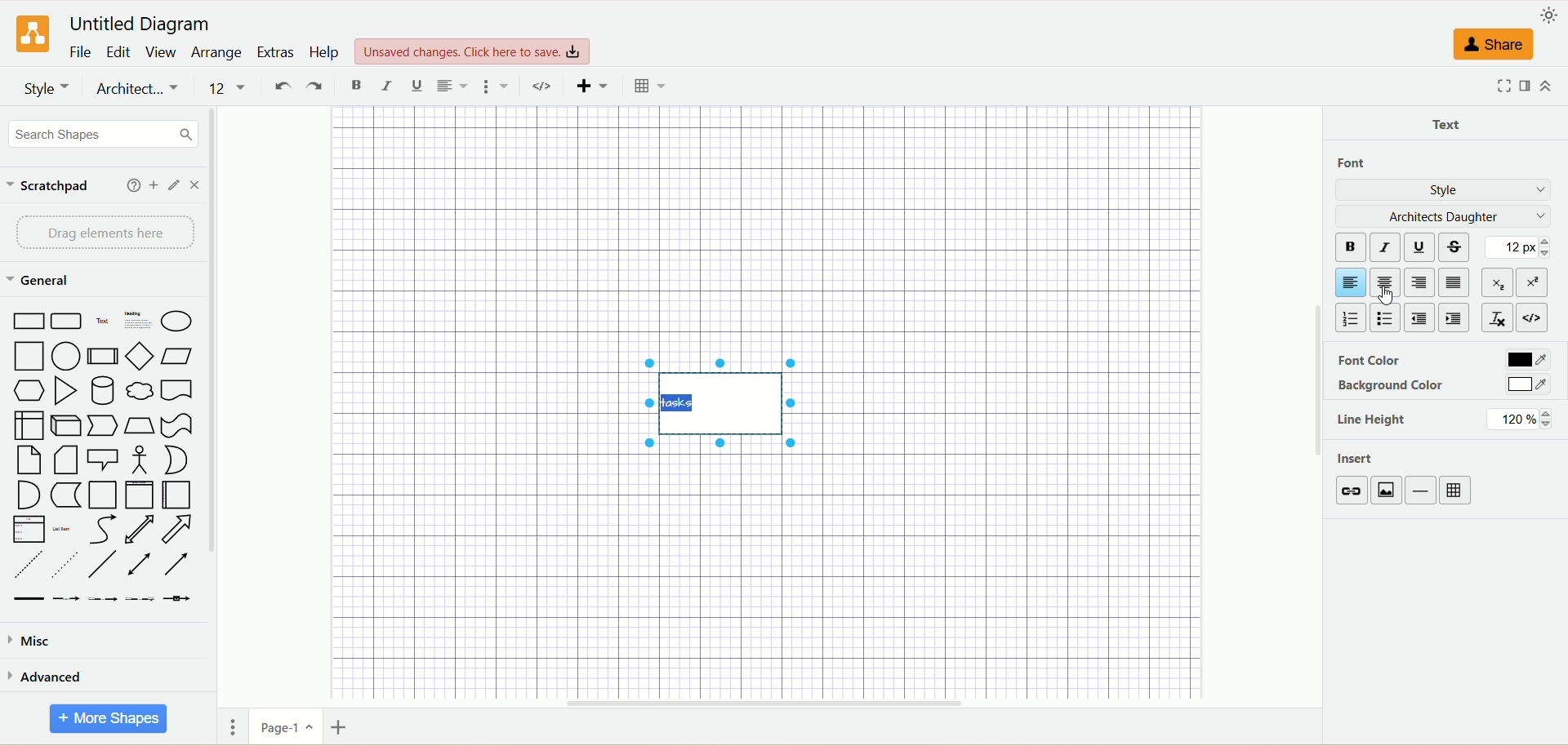 The image size is (1568, 746). Describe the element at coordinates (452, 87) in the screenshot. I see `Alignment` at that location.